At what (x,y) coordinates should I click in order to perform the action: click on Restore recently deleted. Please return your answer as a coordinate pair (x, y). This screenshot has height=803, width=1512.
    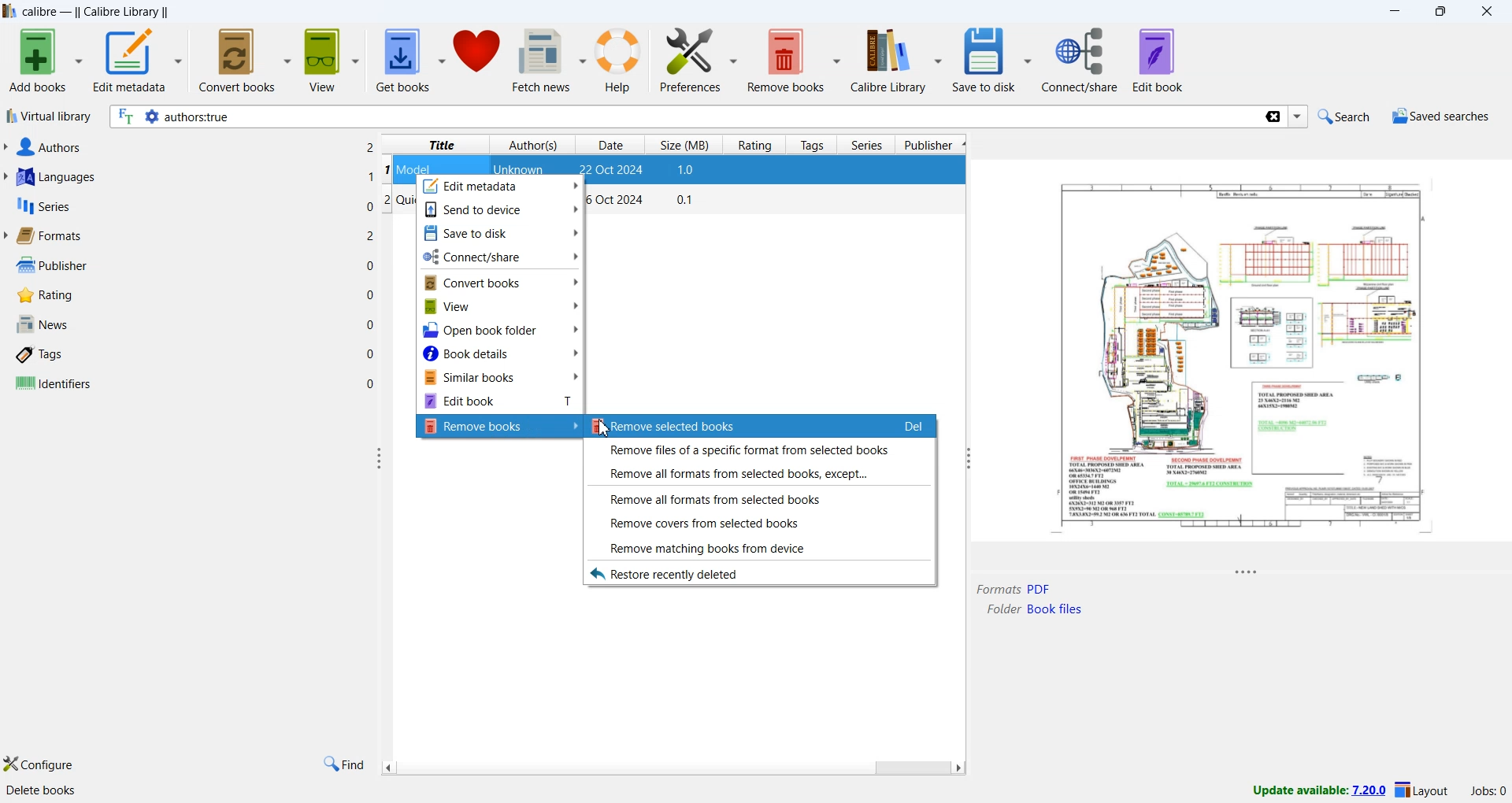
    Looking at the image, I should click on (758, 573).